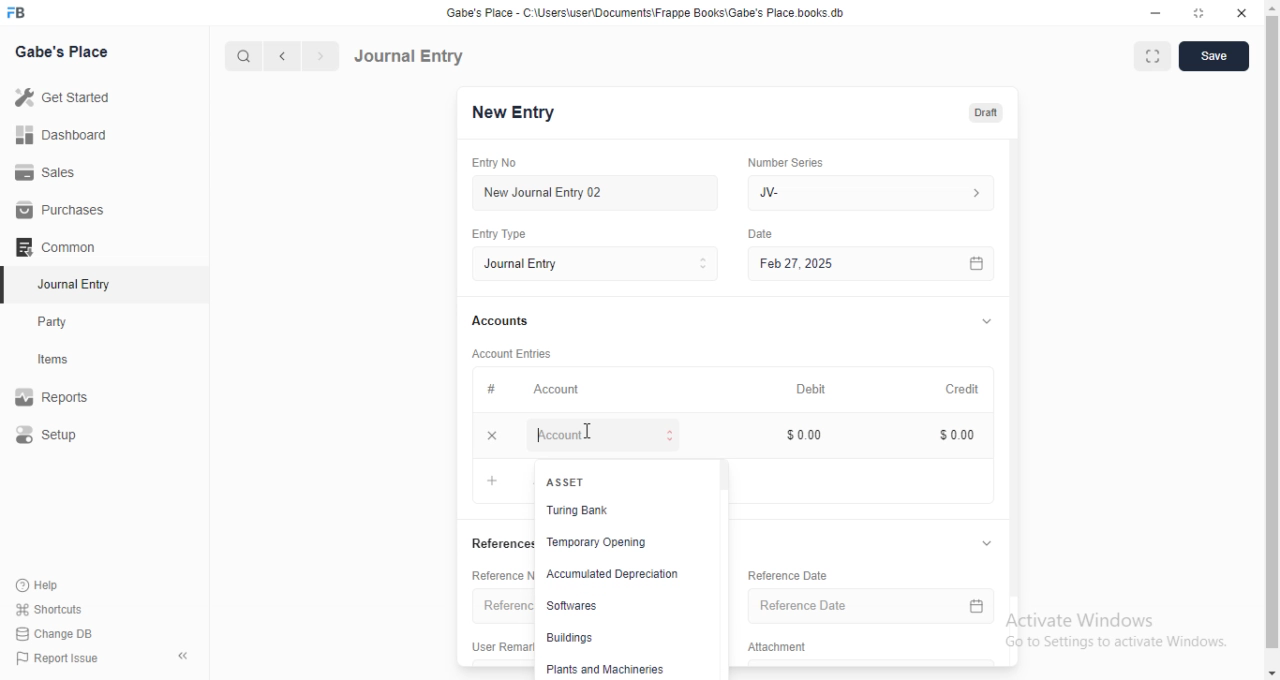  I want to click on Buildings, so click(567, 635).